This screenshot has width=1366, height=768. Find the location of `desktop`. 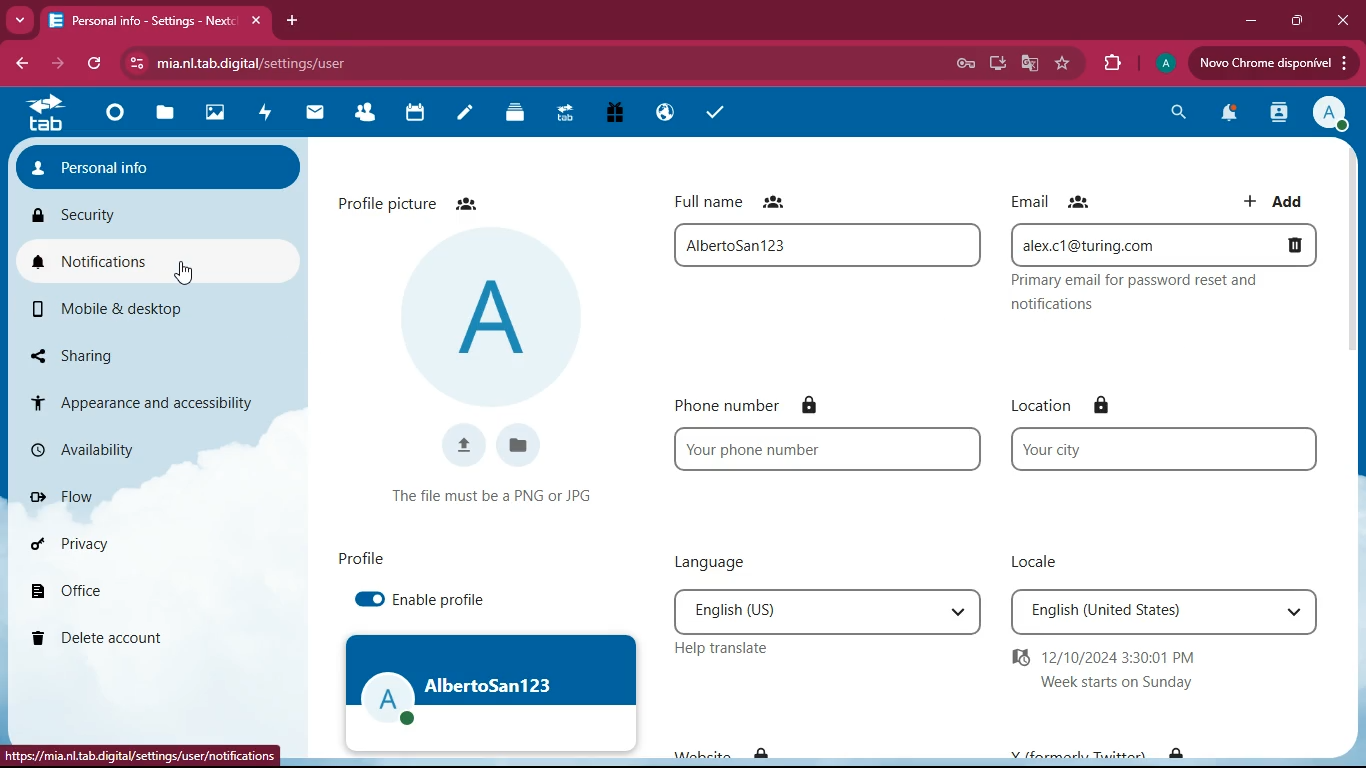

desktop is located at coordinates (994, 63).